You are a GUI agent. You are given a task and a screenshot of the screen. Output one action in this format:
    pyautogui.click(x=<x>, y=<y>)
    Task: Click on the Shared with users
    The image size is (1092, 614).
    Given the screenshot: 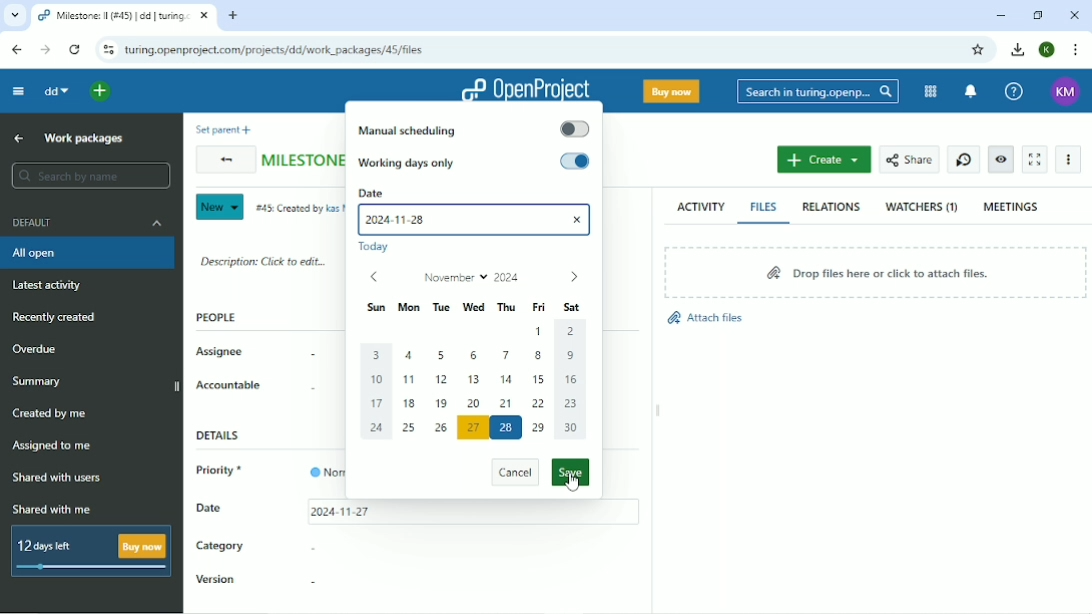 What is the action you would take?
    pyautogui.click(x=58, y=478)
    